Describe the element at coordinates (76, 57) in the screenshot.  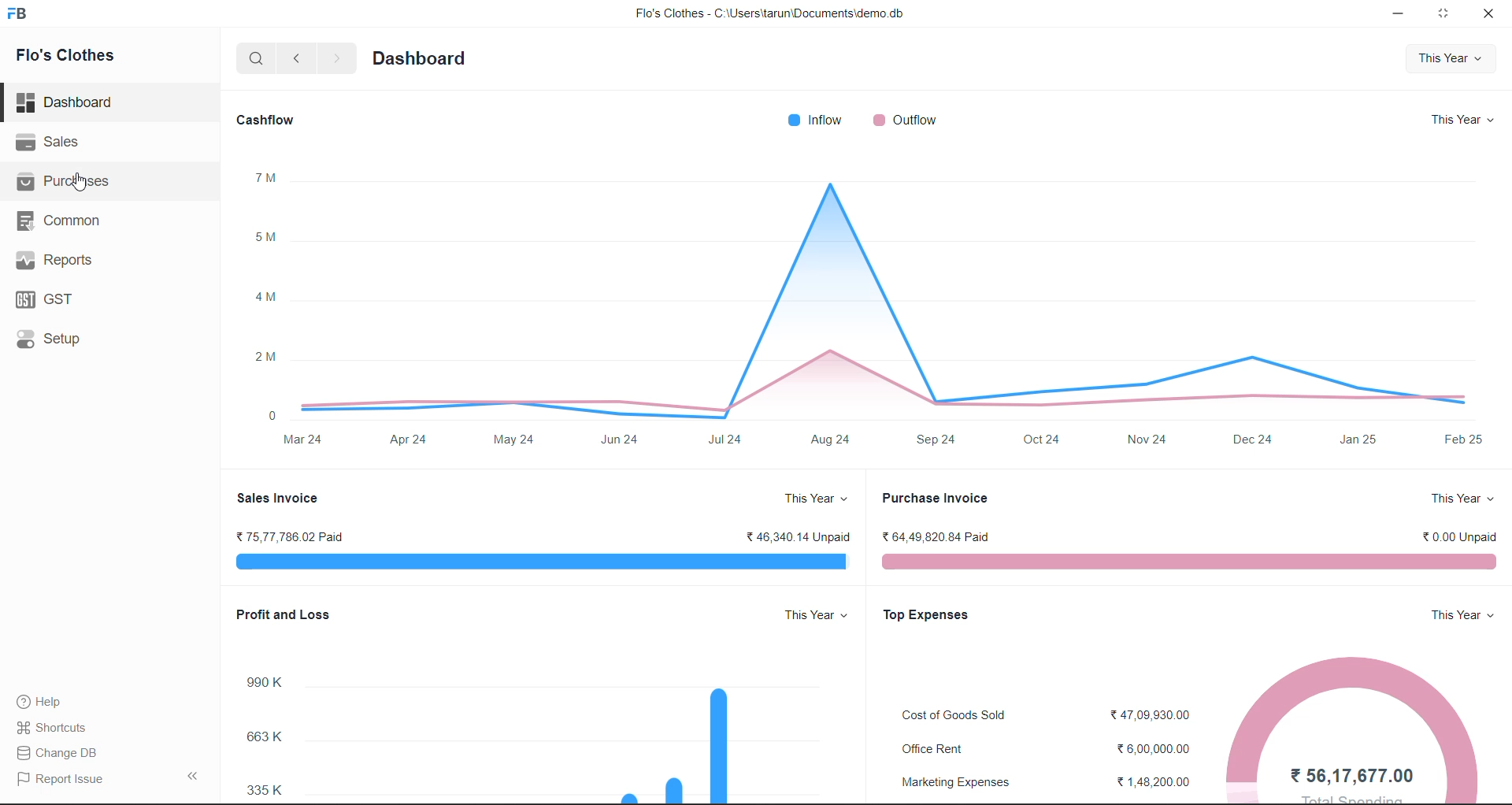
I see `Flo's Clothes` at that location.